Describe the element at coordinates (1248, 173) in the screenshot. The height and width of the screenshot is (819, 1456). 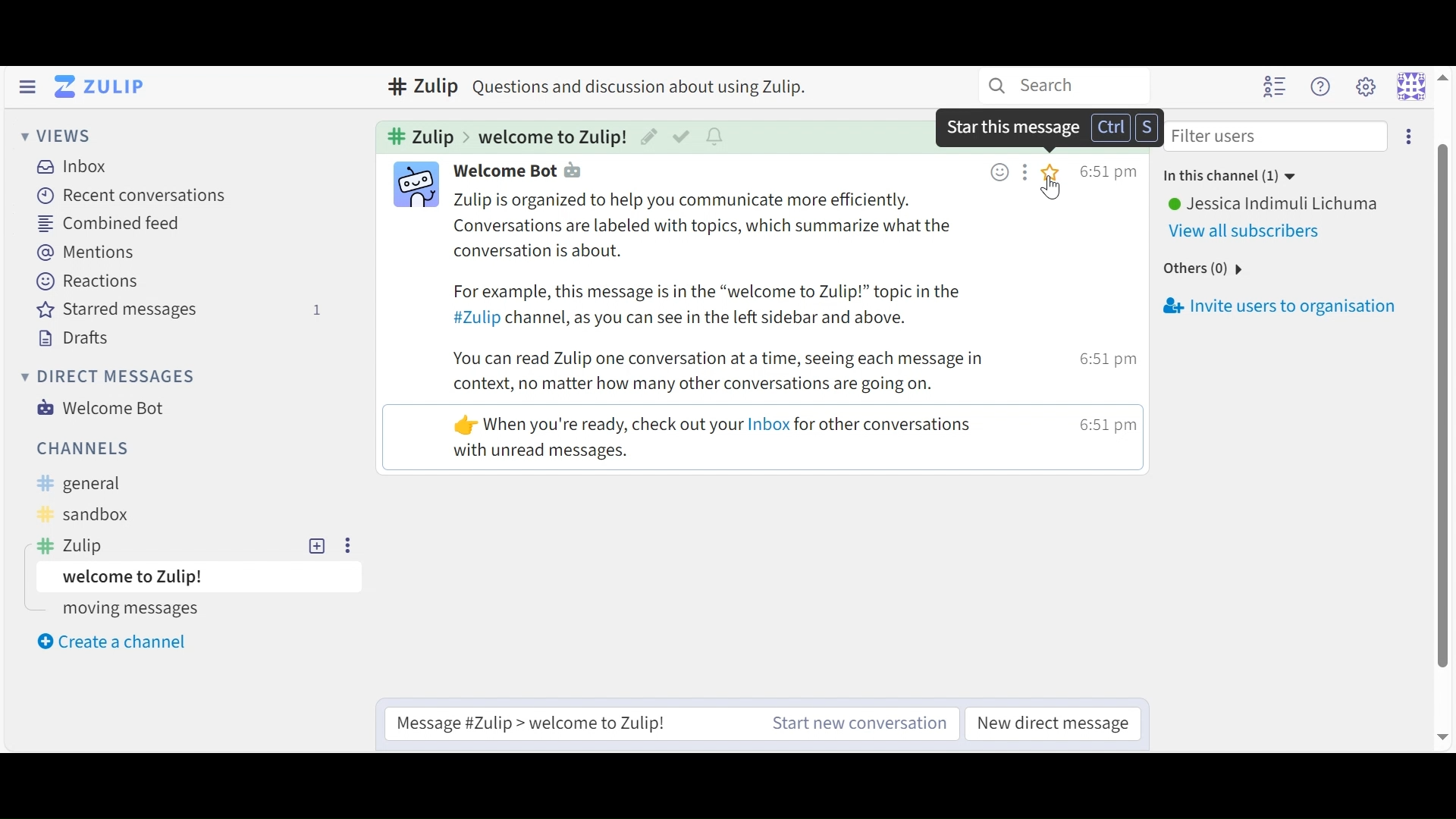
I see `in this channle` at that location.